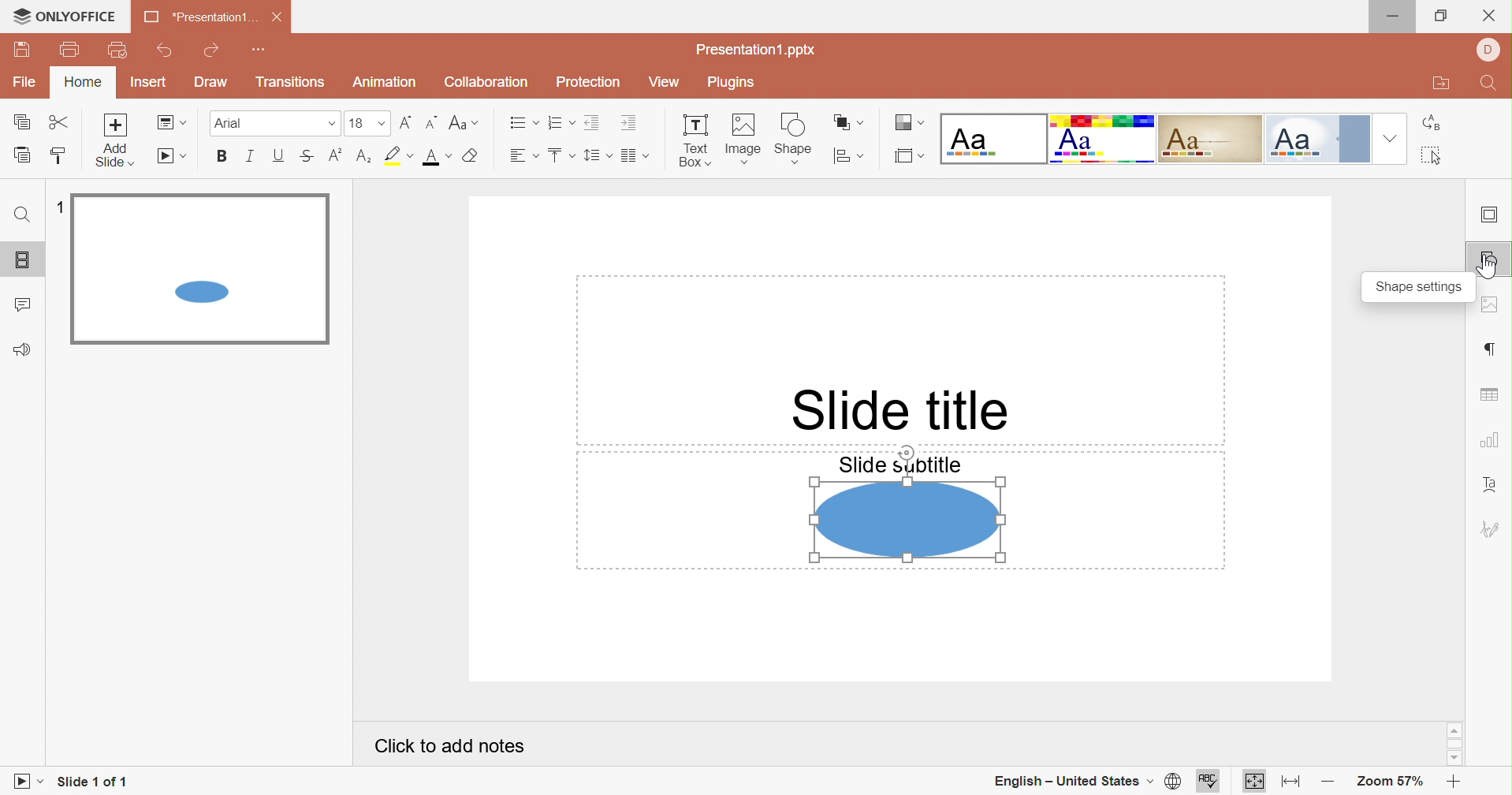  What do you see at coordinates (559, 155) in the screenshot?
I see `Vertical align` at bounding box center [559, 155].